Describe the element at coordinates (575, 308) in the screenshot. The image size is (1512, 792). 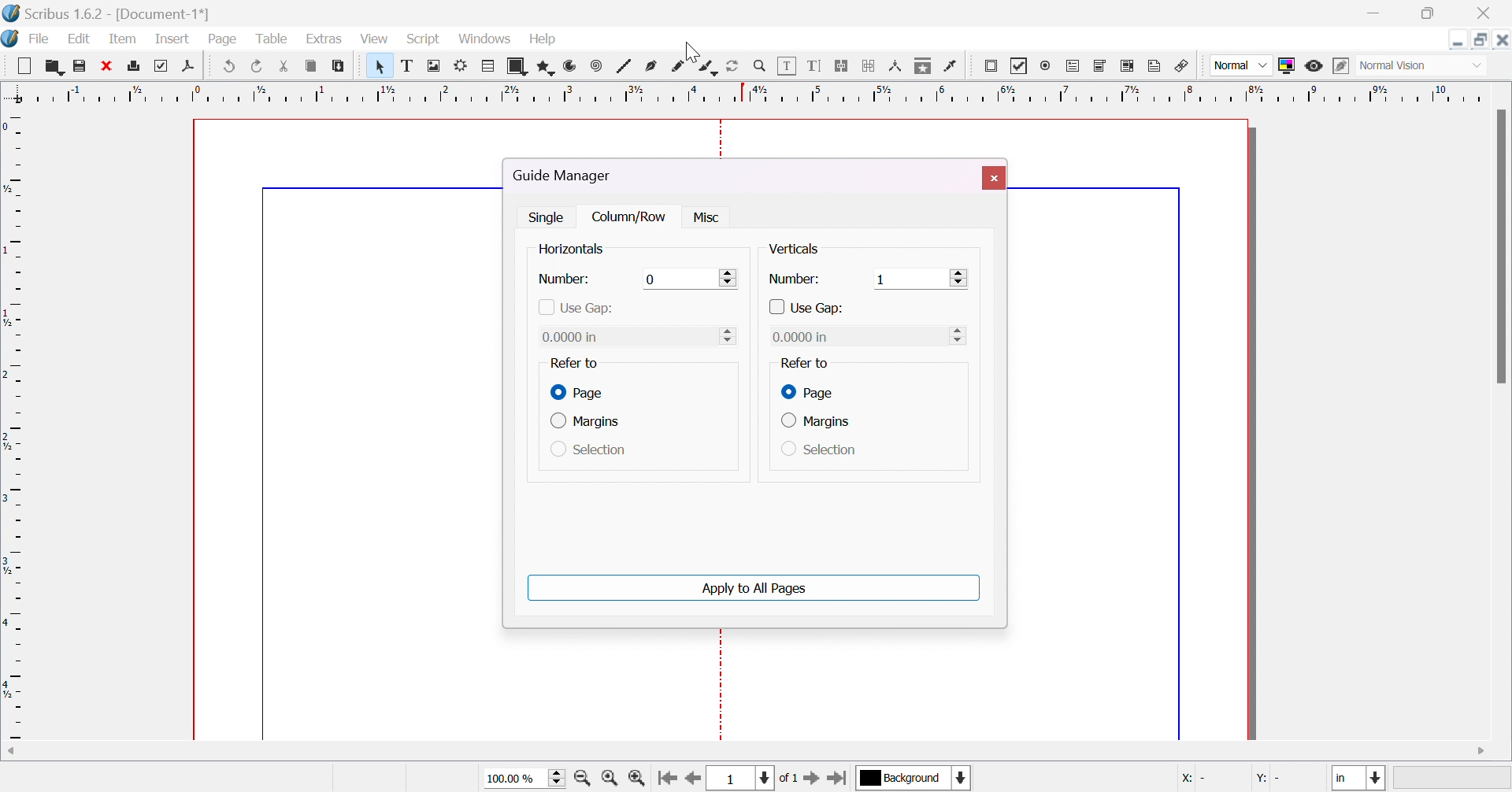
I see `use gap` at that location.